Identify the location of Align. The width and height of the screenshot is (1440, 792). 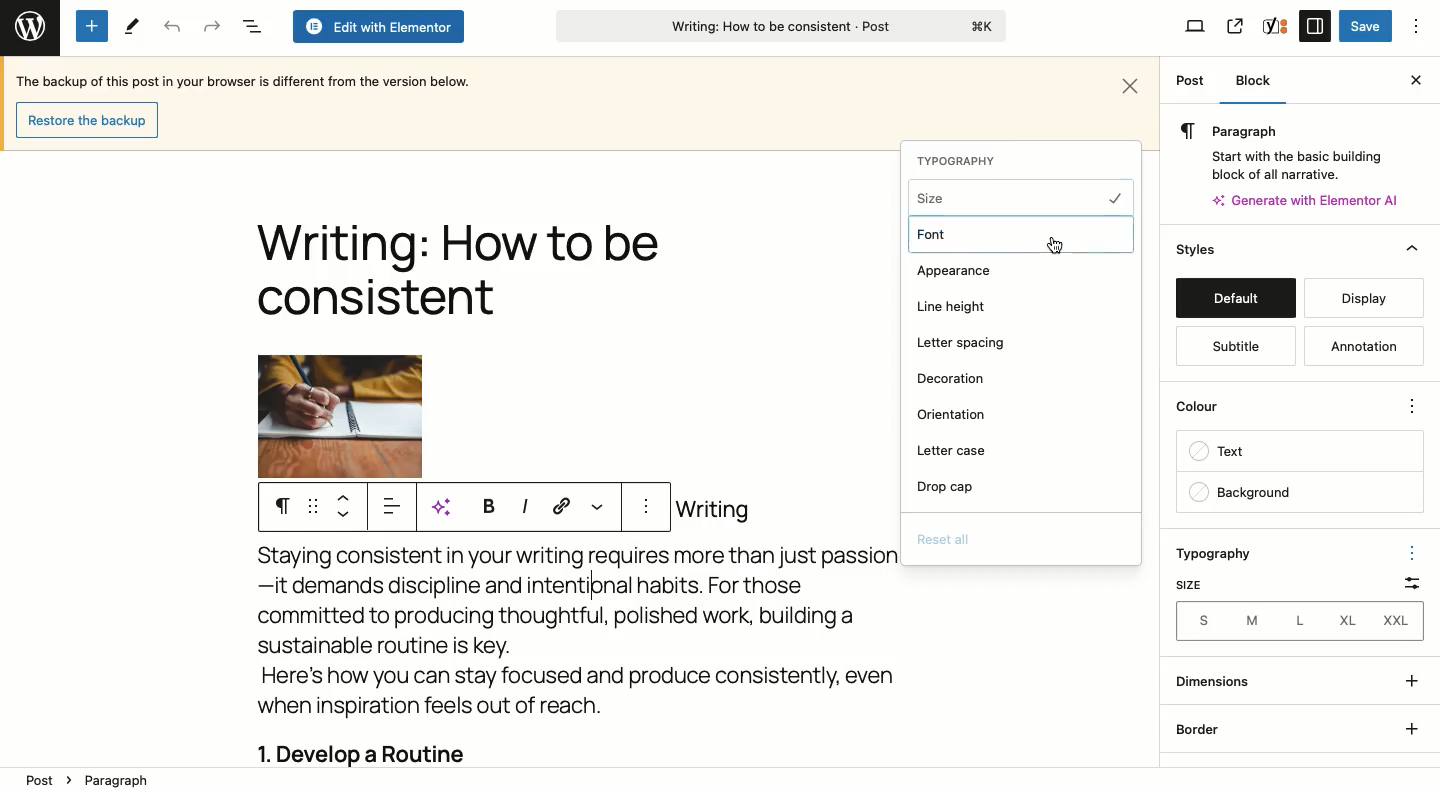
(395, 510).